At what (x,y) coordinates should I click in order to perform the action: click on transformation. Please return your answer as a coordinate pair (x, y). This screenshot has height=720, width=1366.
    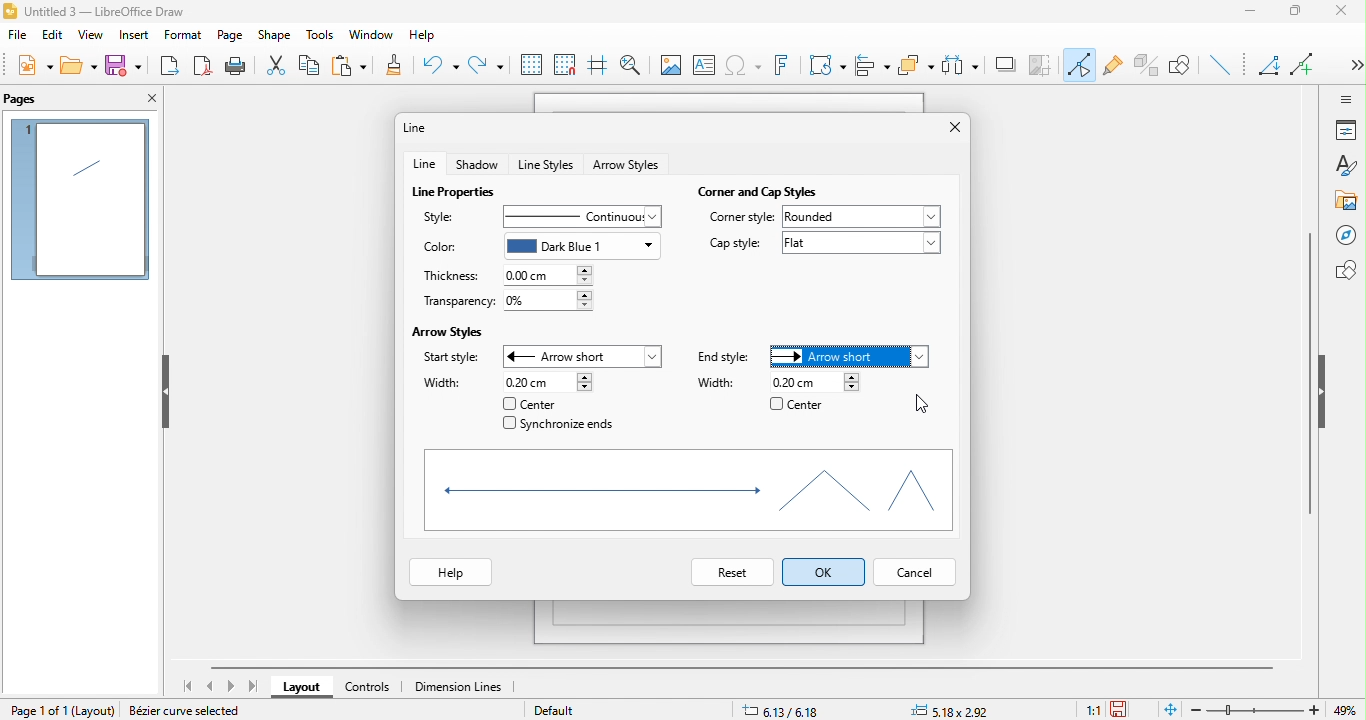
    Looking at the image, I should click on (827, 65).